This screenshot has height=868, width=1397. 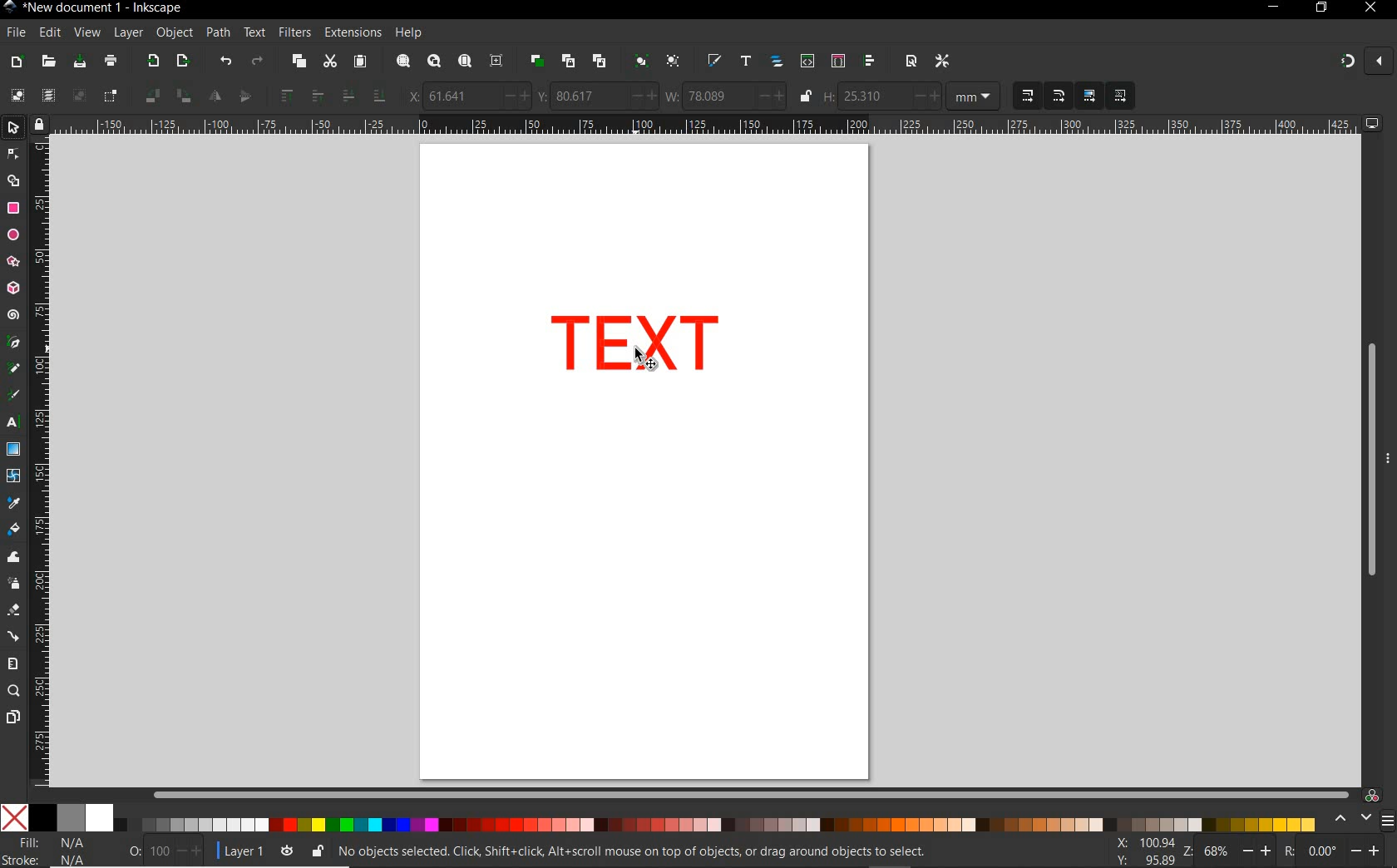 I want to click on edit, so click(x=49, y=32).